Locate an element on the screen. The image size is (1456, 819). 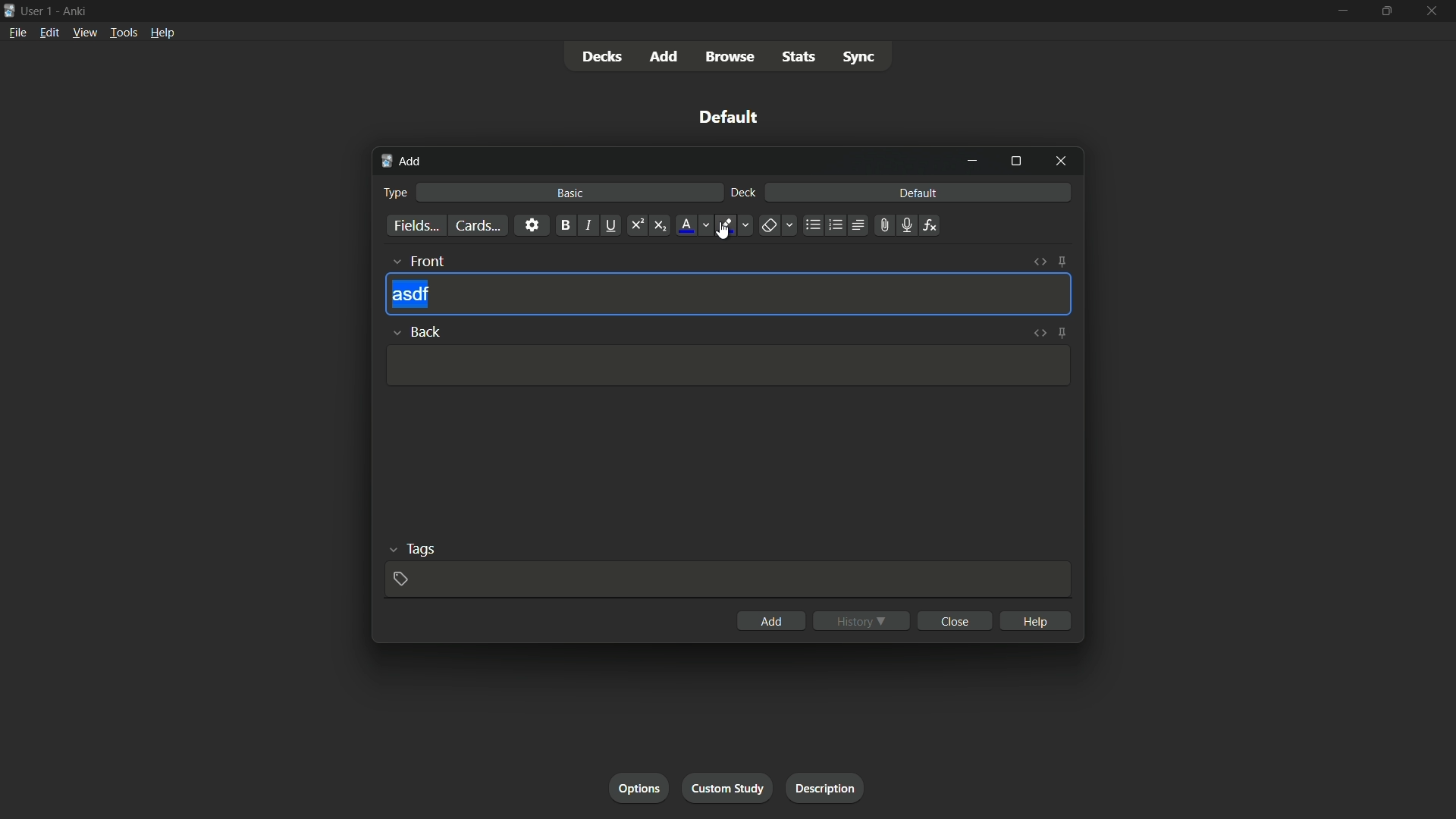
edit is located at coordinates (49, 33).